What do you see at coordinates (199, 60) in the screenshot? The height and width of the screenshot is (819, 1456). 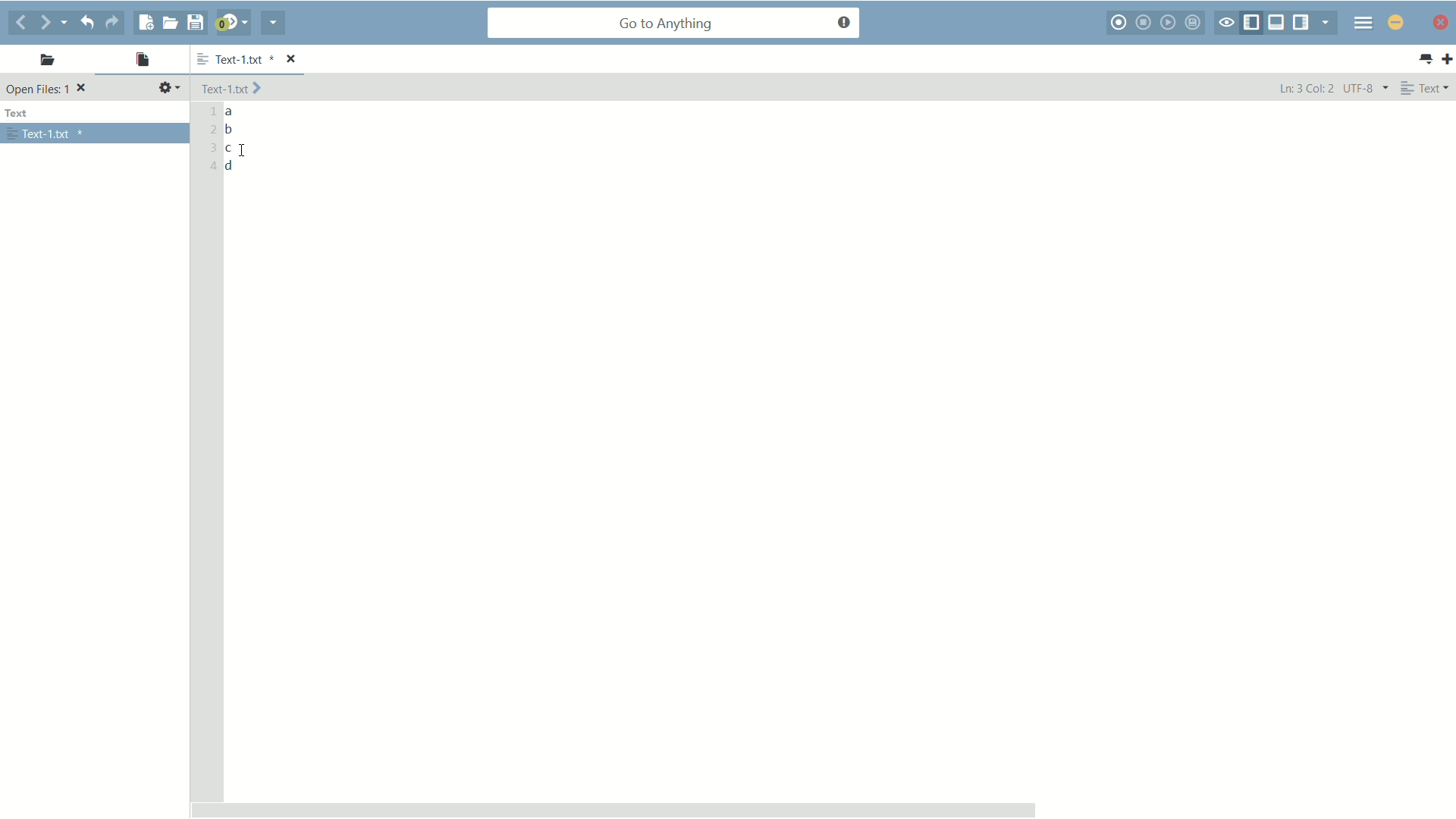 I see `more options` at bounding box center [199, 60].